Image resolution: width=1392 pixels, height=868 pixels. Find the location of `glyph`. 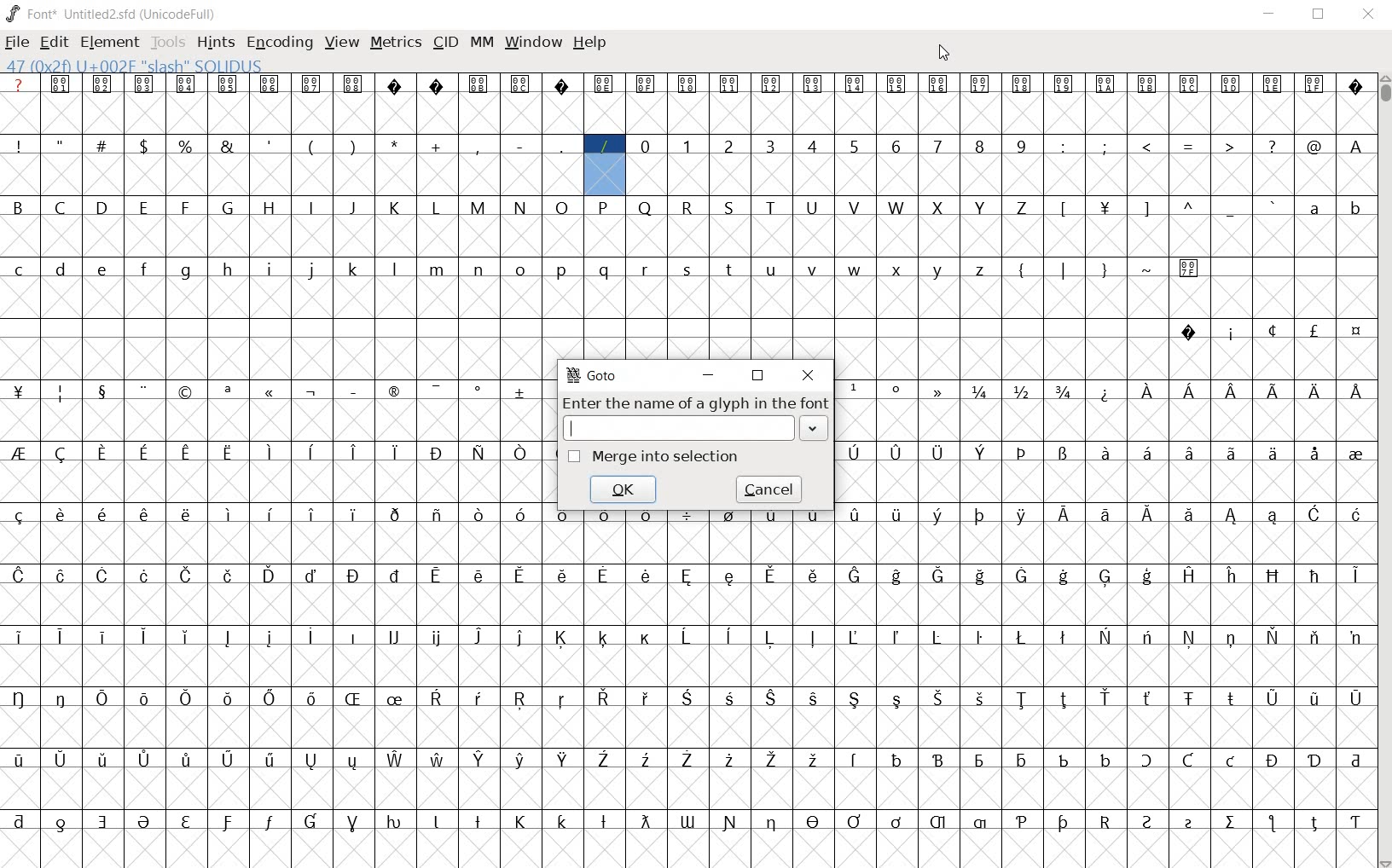

glyph is located at coordinates (144, 576).